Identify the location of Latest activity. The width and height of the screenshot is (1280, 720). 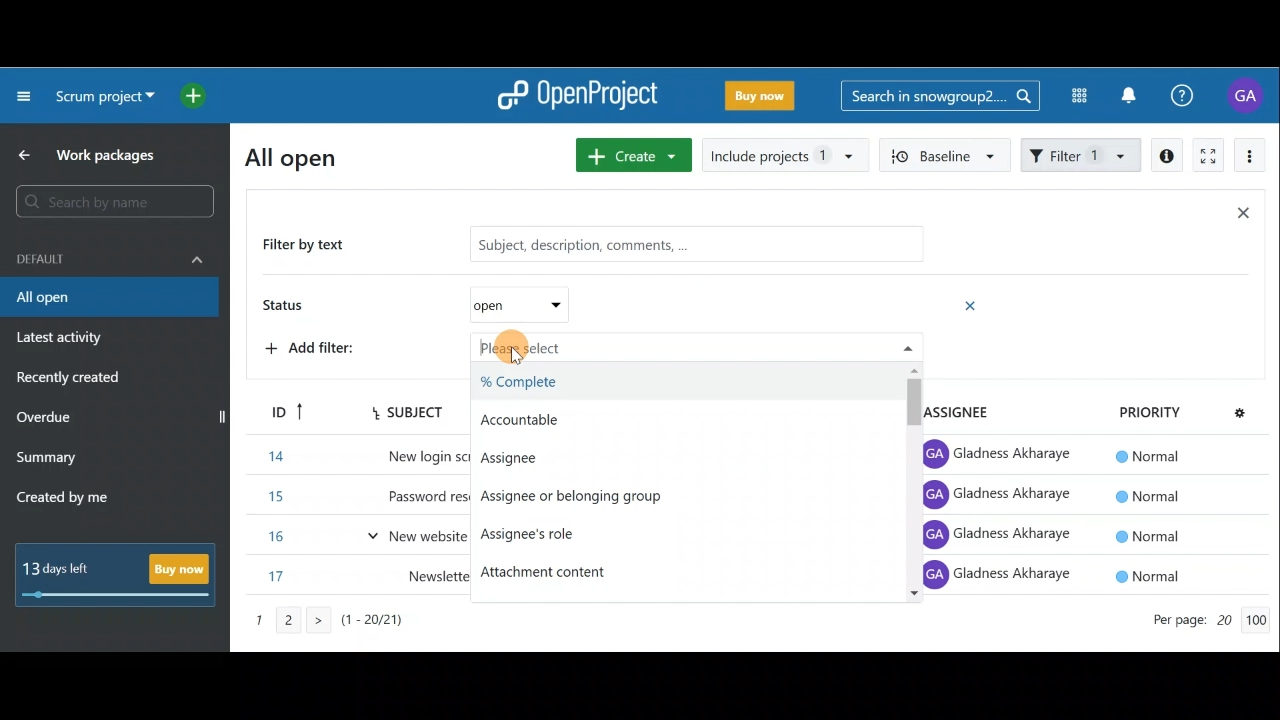
(62, 340).